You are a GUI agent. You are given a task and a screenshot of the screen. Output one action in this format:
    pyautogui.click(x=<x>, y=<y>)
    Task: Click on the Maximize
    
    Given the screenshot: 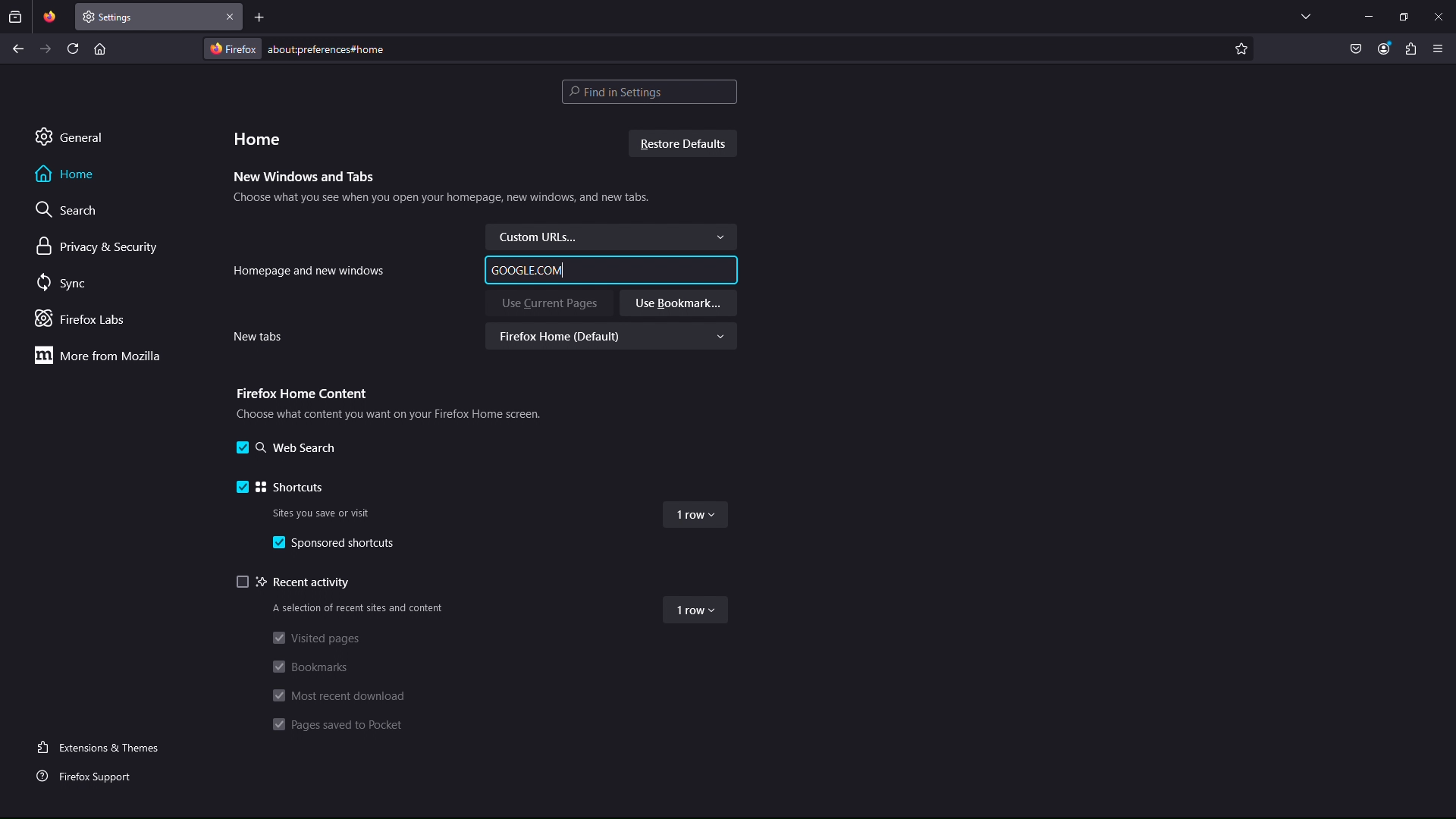 What is the action you would take?
    pyautogui.click(x=1404, y=16)
    